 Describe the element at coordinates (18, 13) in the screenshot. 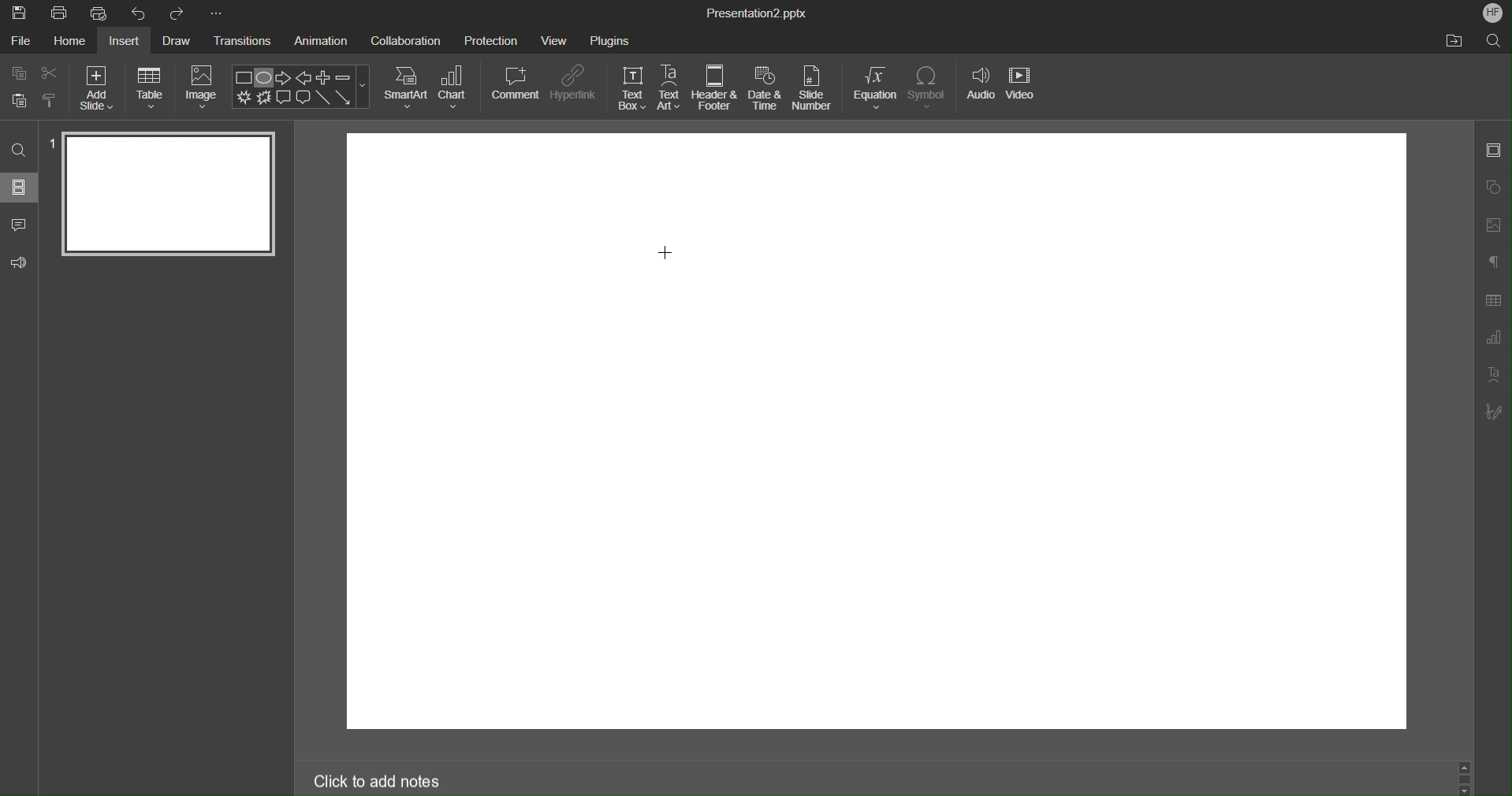

I see `Save` at that location.